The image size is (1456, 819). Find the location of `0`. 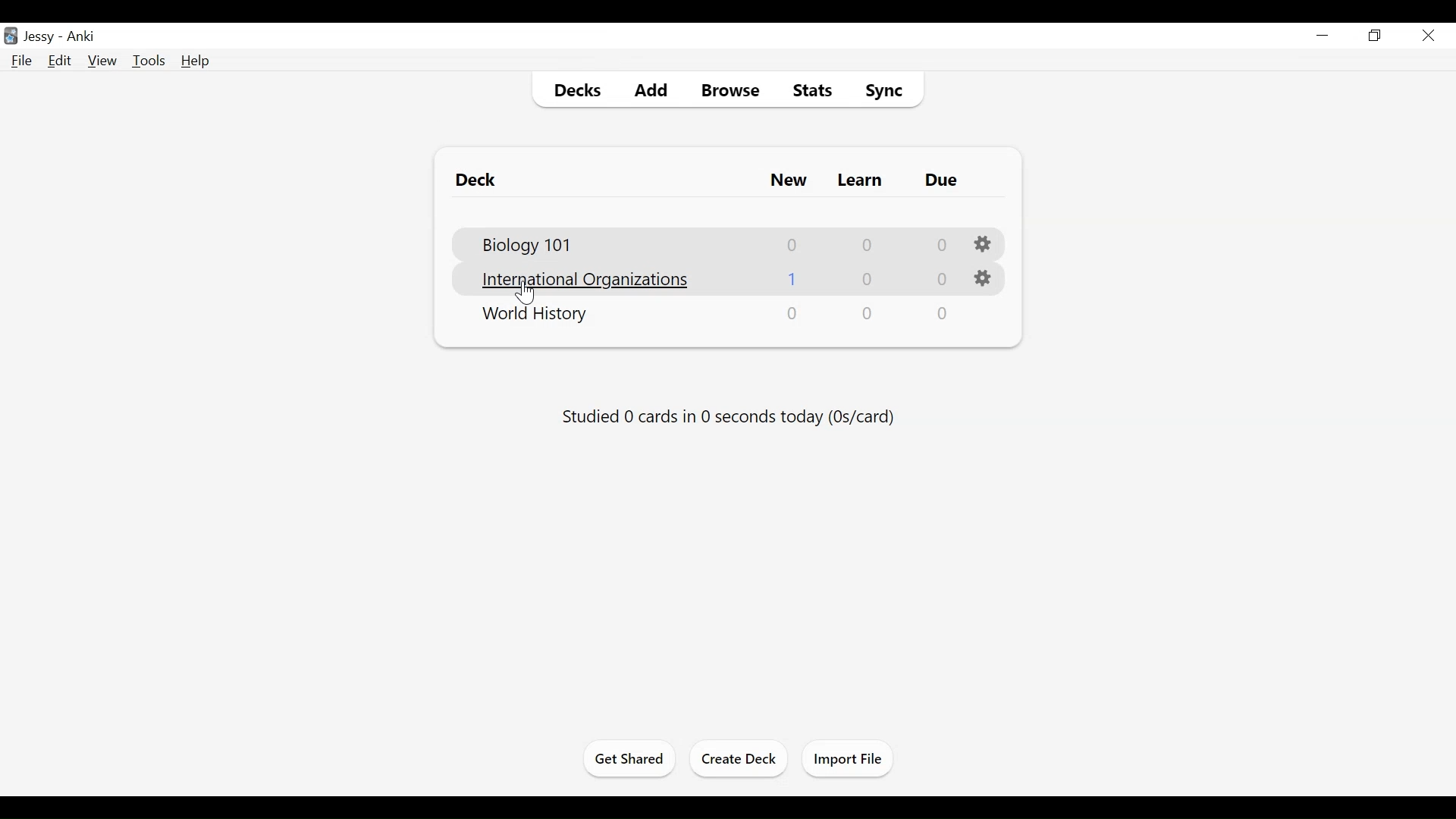

0 is located at coordinates (873, 244).